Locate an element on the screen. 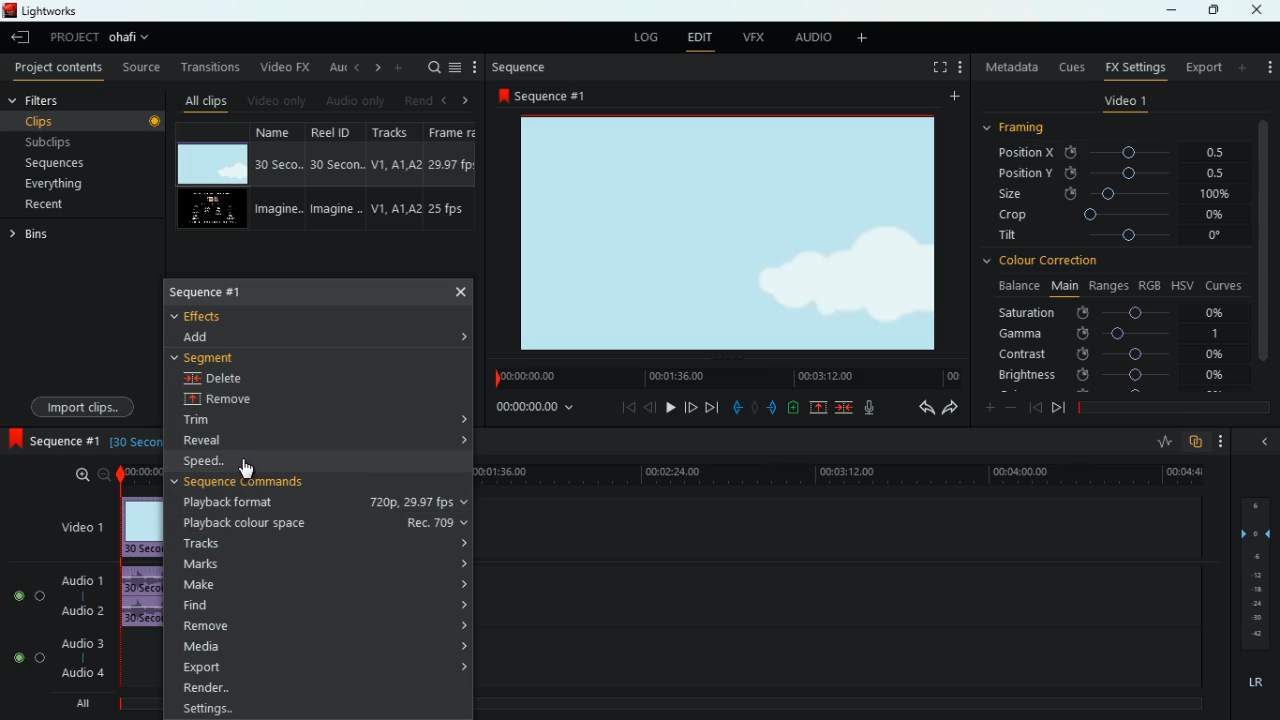  push is located at coordinates (773, 407).